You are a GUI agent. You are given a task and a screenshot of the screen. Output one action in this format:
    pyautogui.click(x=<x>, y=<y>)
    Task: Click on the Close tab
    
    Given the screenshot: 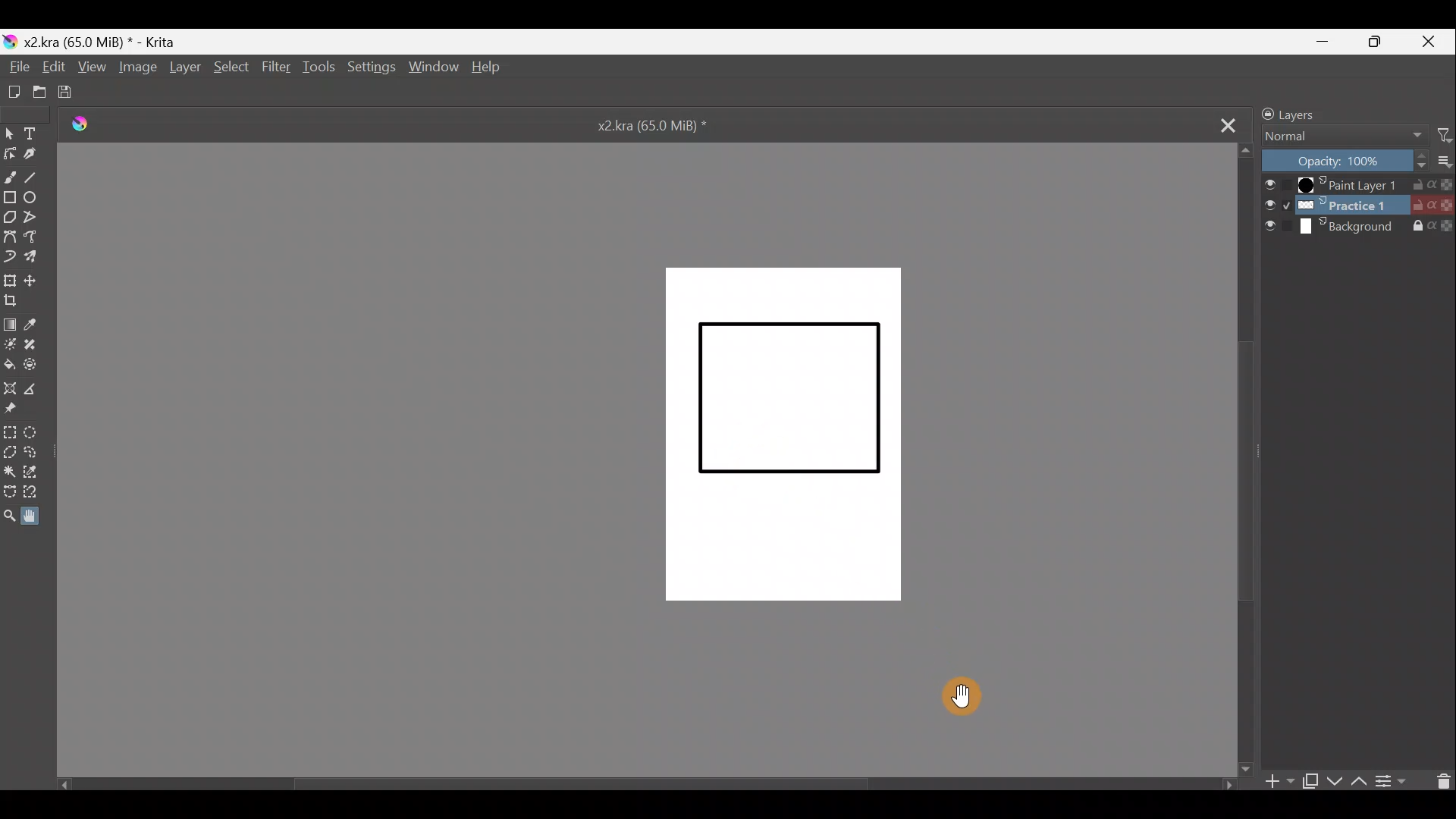 What is the action you would take?
    pyautogui.click(x=1218, y=122)
    